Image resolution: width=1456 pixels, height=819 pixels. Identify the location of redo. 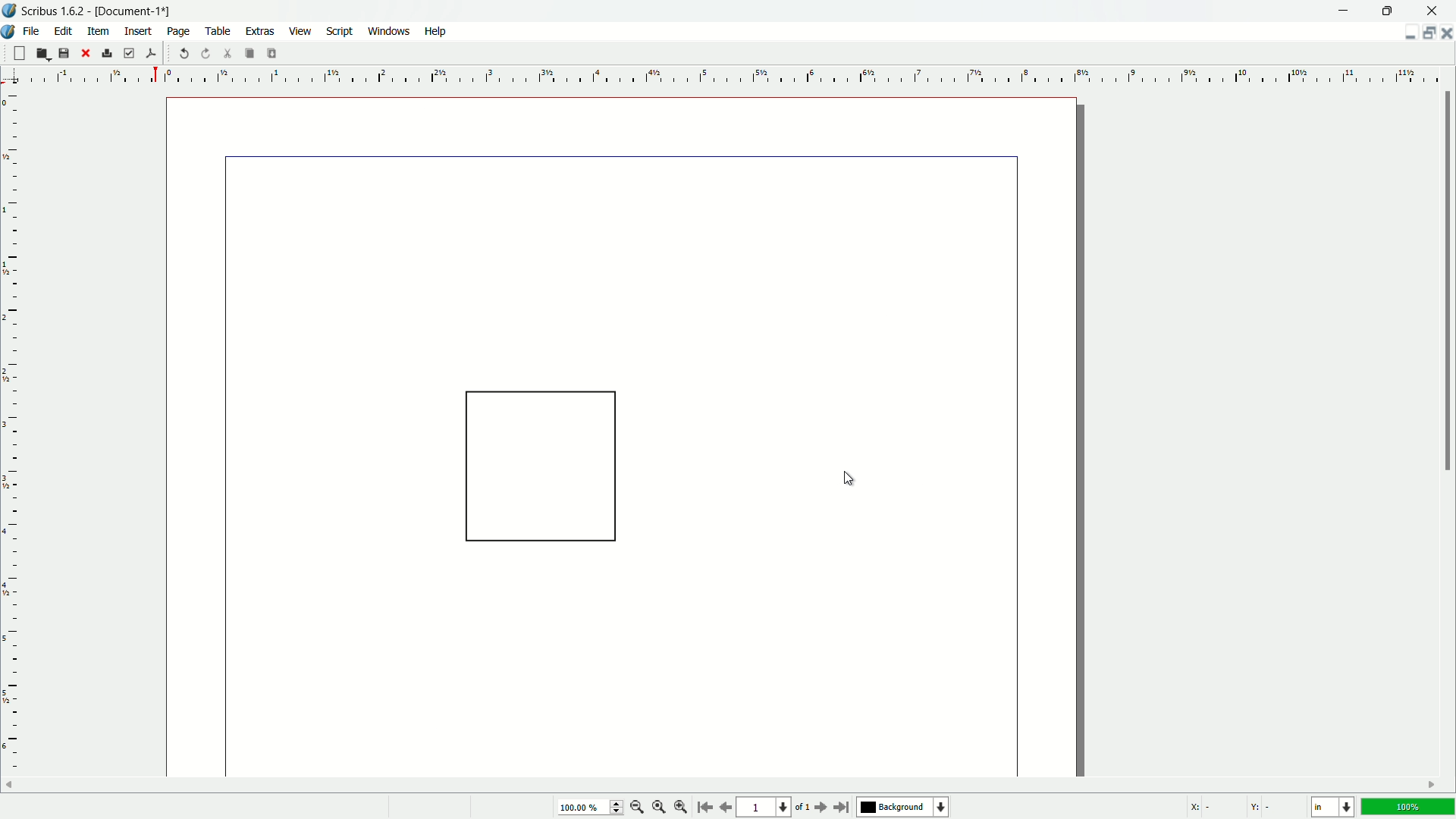
(204, 53).